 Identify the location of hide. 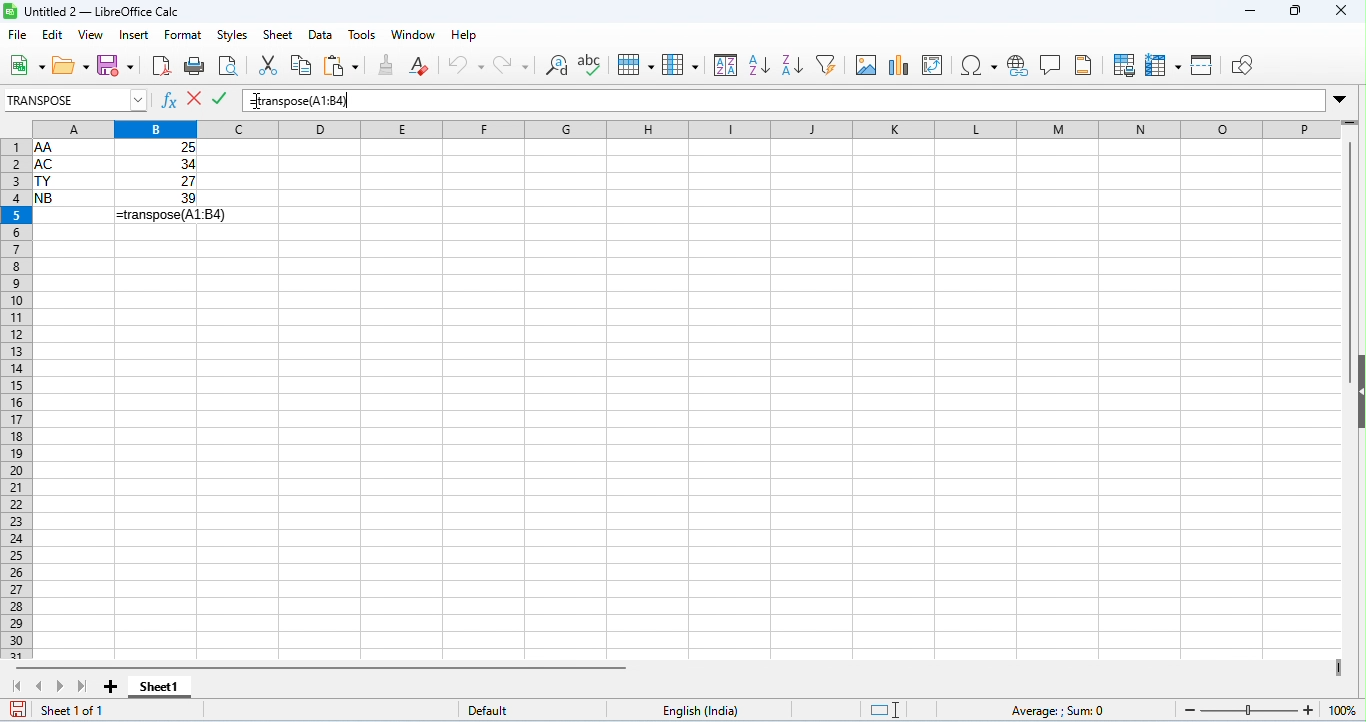
(1357, 390).